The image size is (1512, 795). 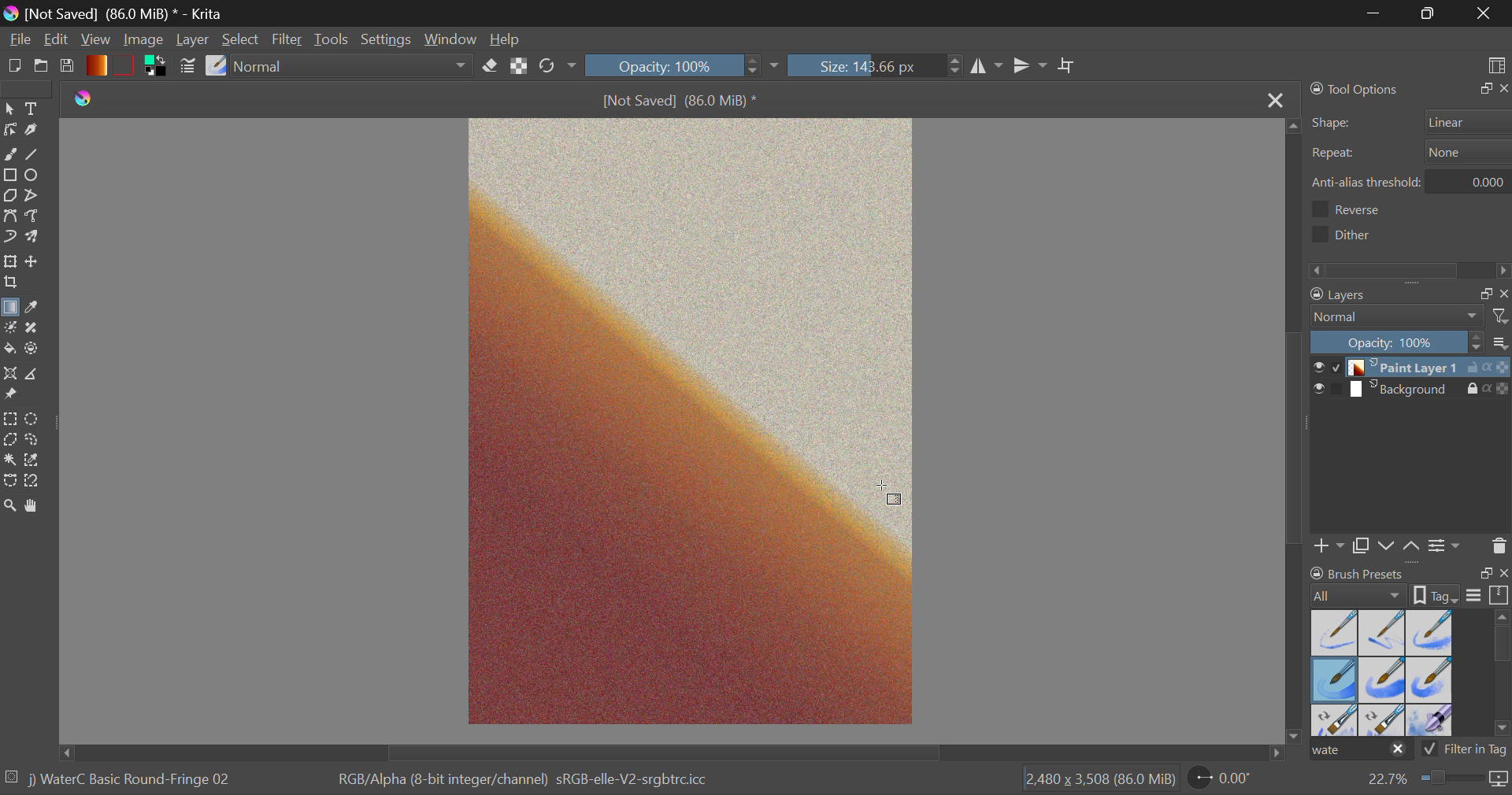 What do you see at coordinates (889, 494) in the screenshot?
I see `cursor` at bounding box center [889, 494].